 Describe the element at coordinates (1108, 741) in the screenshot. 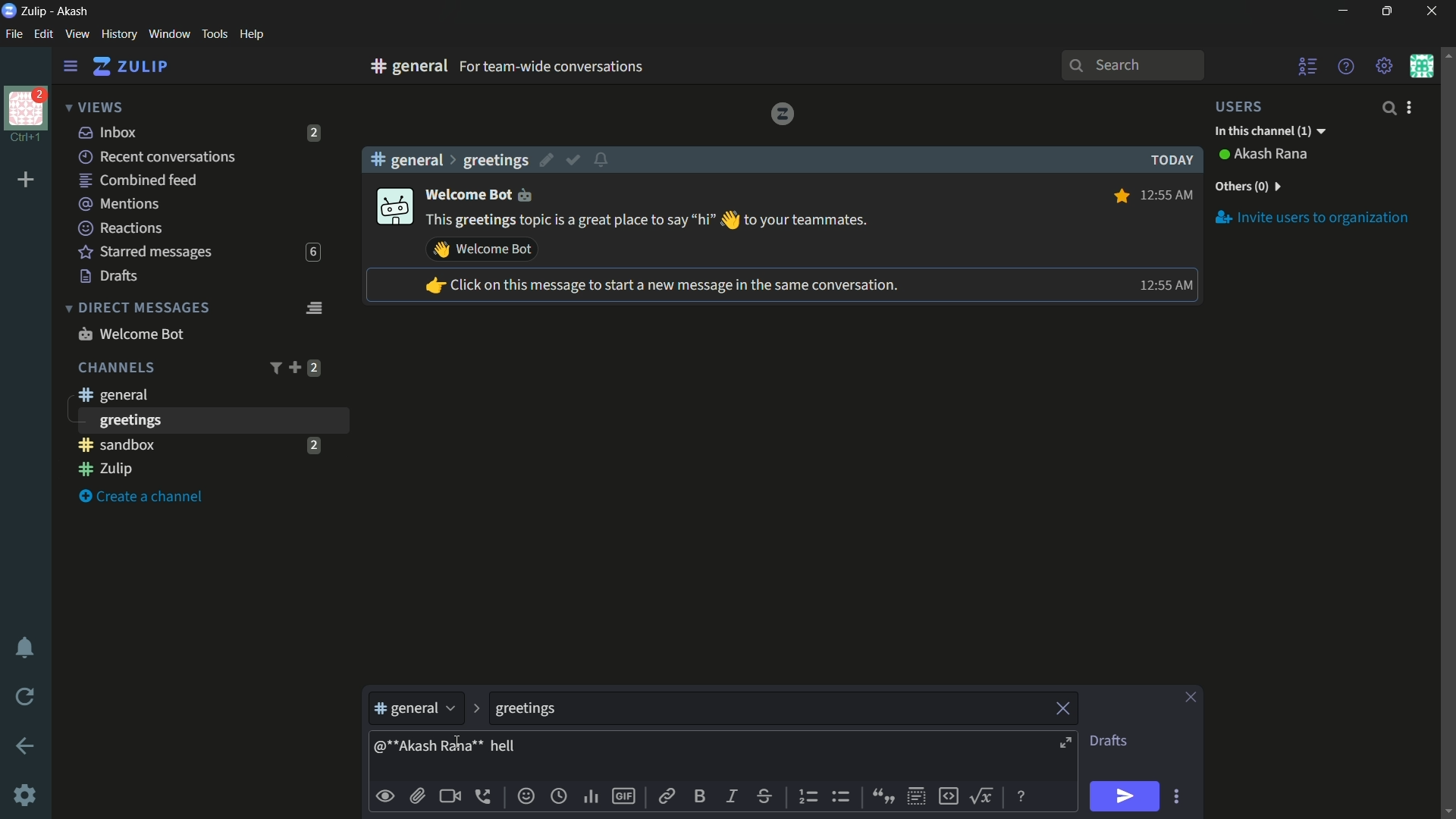

I see `drafts` at that location.